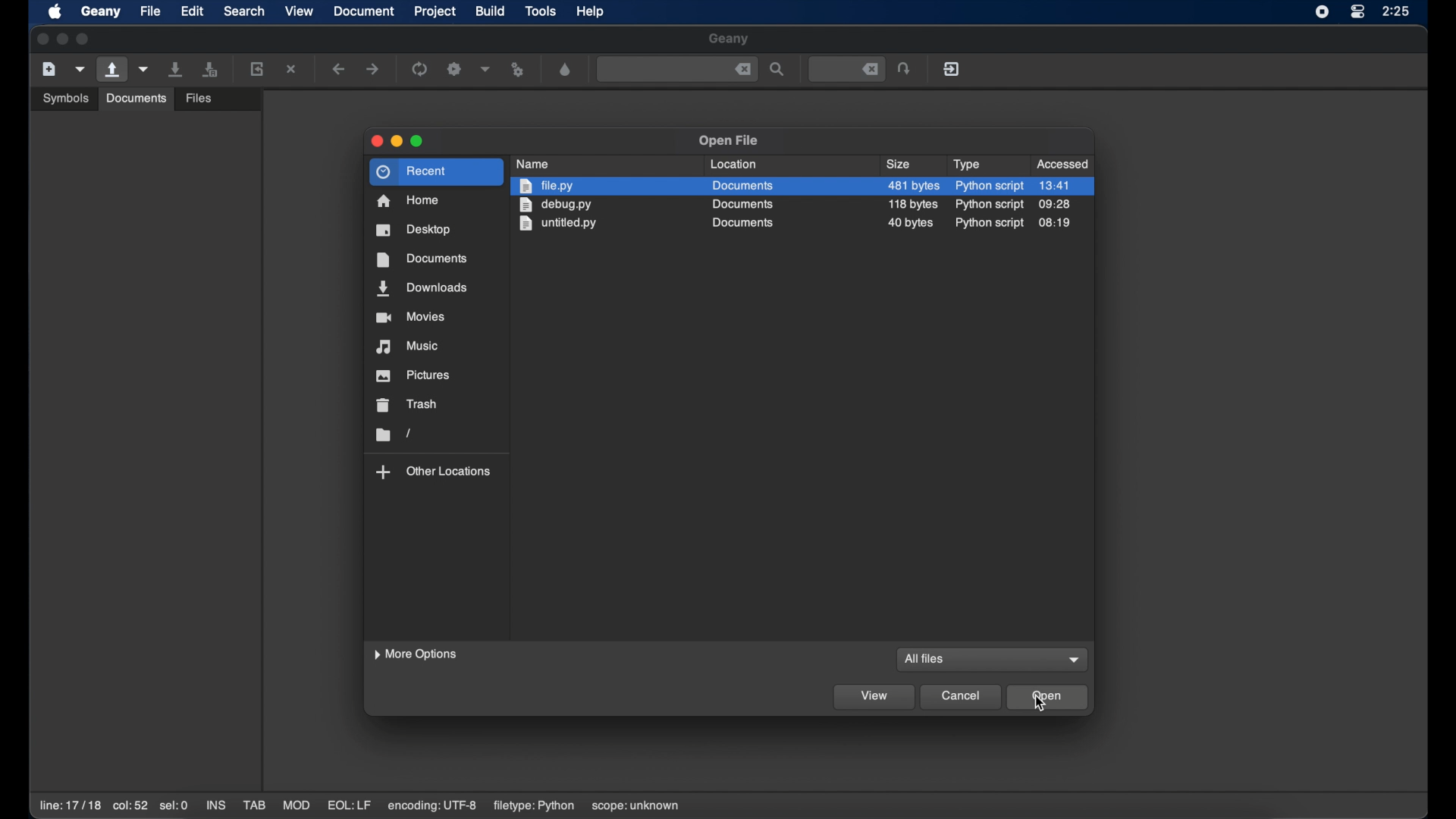 This screenshot has width=1456, height=819. I want to click on run or view file, so click(517, 71).